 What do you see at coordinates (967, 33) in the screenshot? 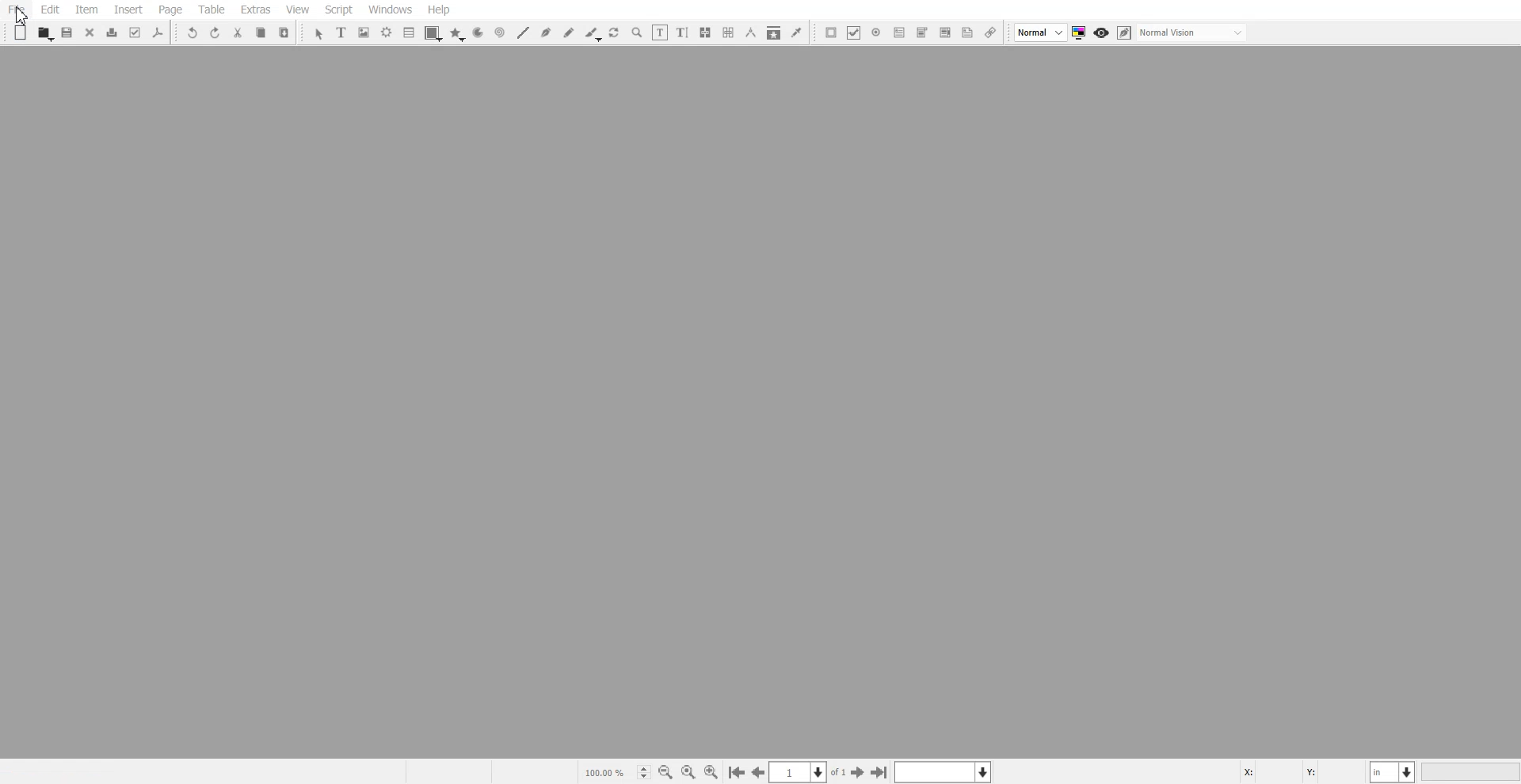
I see `Text Annotation` at bounding box center [967, 33].